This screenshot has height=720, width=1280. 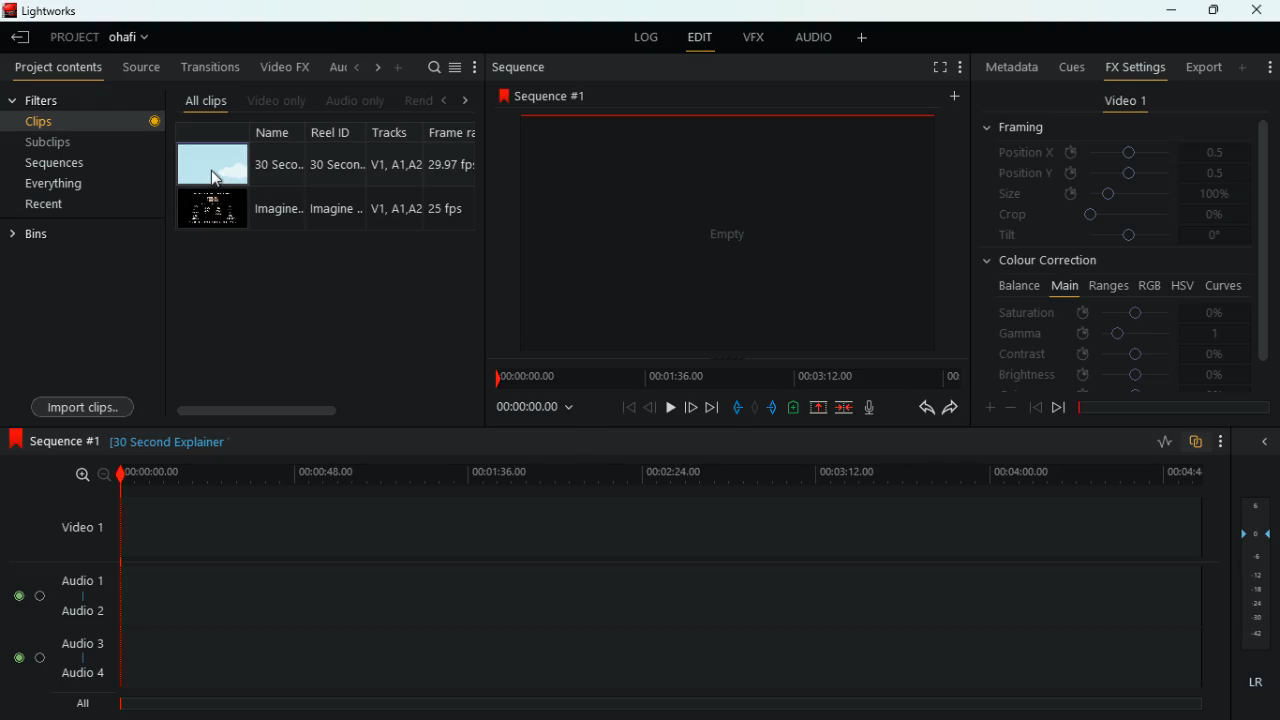 What do you see at coordinates (1264, 239) in the screenshot?
I see `vertical scroll bar` at bounding box center [1264, 239].